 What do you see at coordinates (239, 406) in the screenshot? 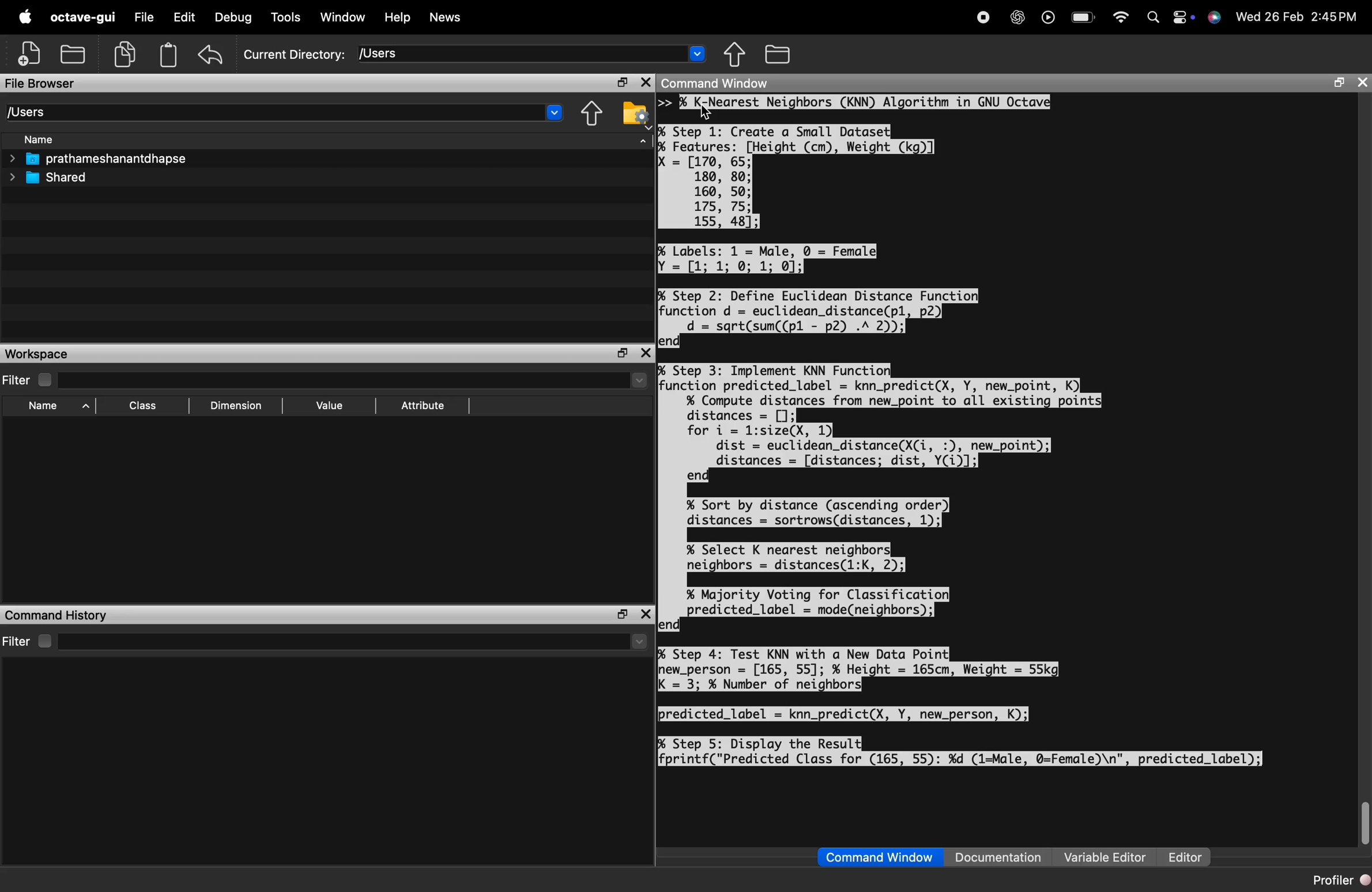
I see `Dimension` at bounding box center [239, 406].